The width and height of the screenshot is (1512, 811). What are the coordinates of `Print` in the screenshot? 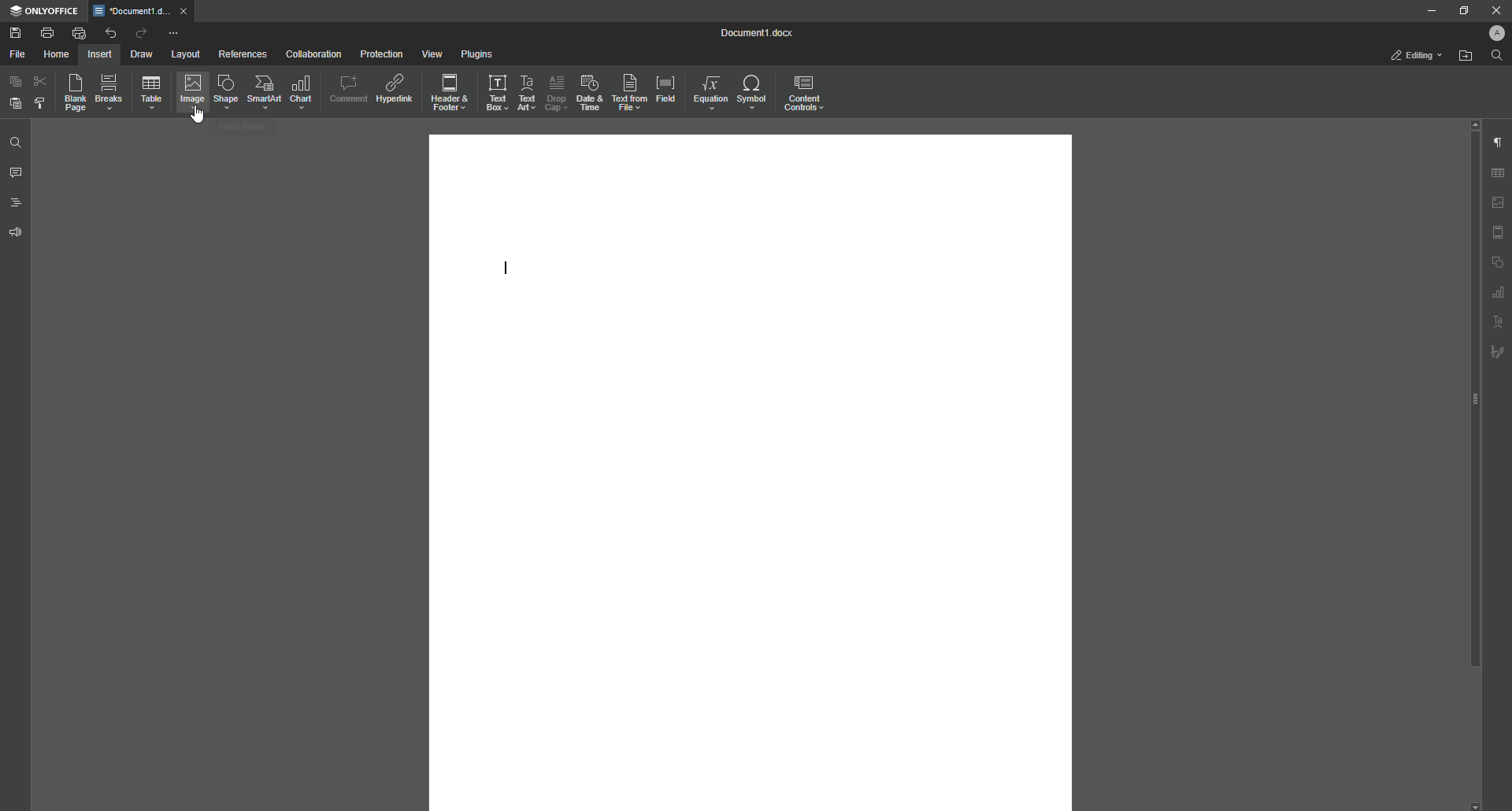 It's located at (47, 32).